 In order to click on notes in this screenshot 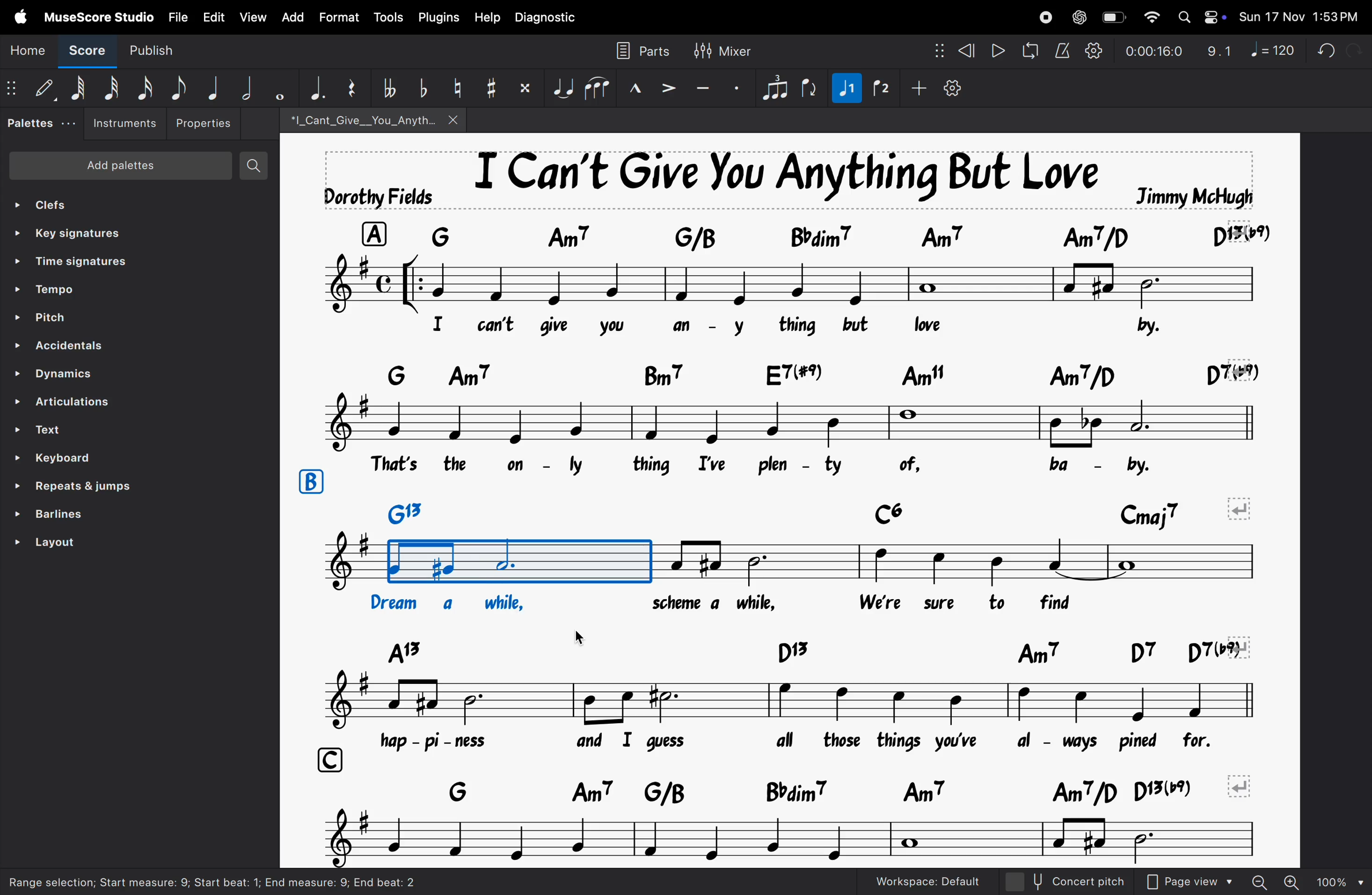, I will do `click(778, 841)`.